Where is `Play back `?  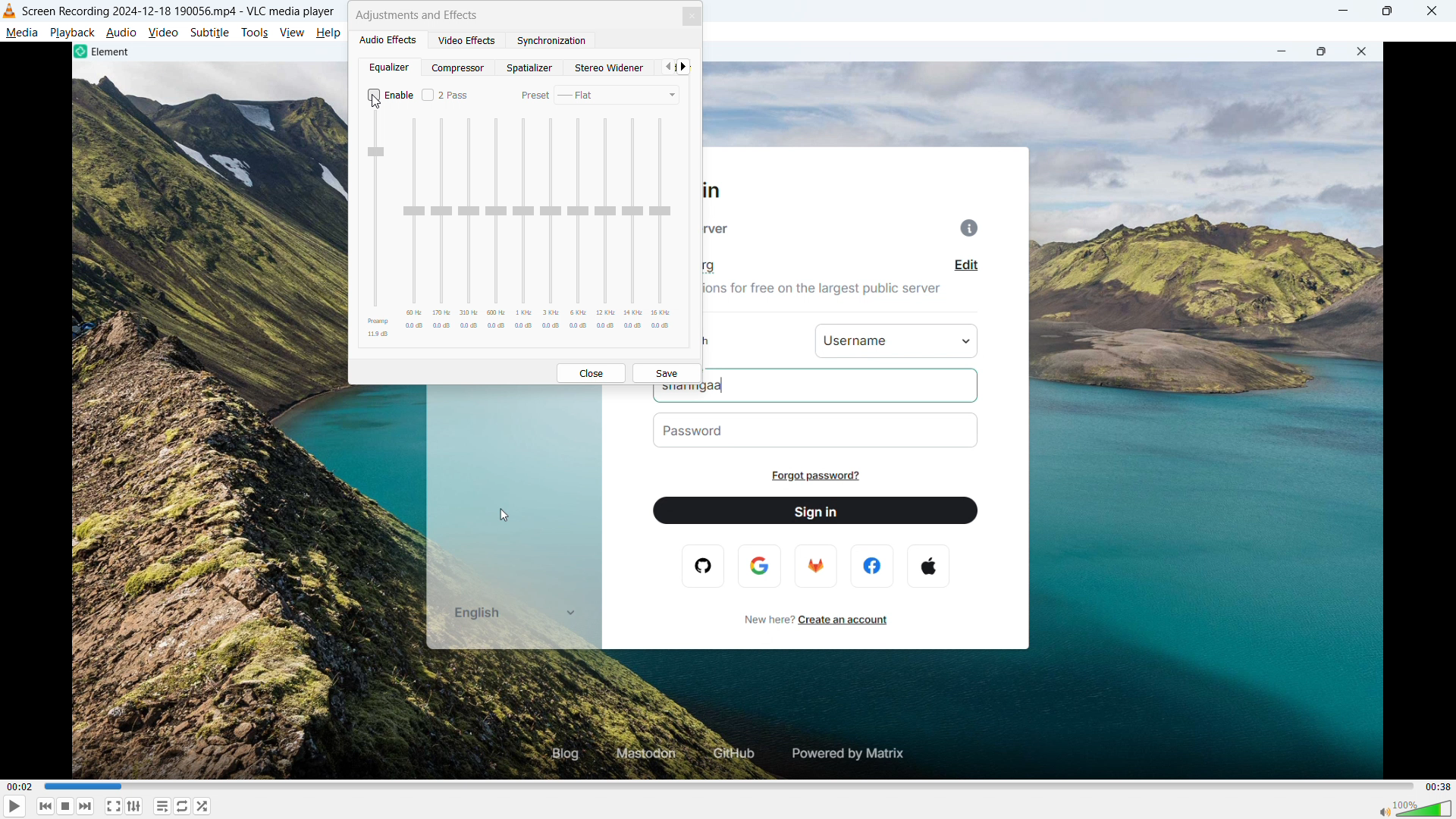 Play back  is located at coordinates (72, 33).